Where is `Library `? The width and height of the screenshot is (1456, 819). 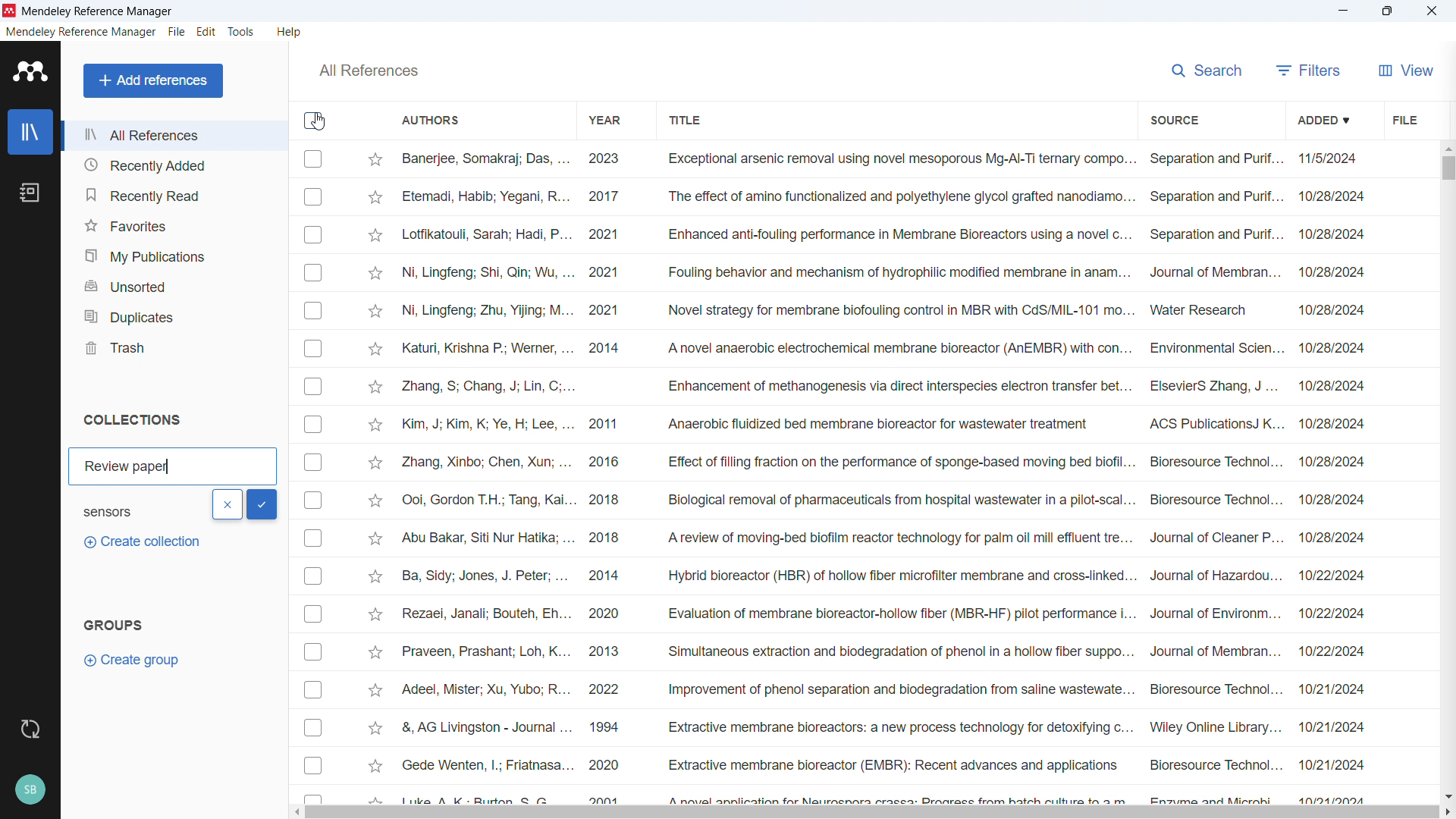
Library  is located at coordinates (30, 131).